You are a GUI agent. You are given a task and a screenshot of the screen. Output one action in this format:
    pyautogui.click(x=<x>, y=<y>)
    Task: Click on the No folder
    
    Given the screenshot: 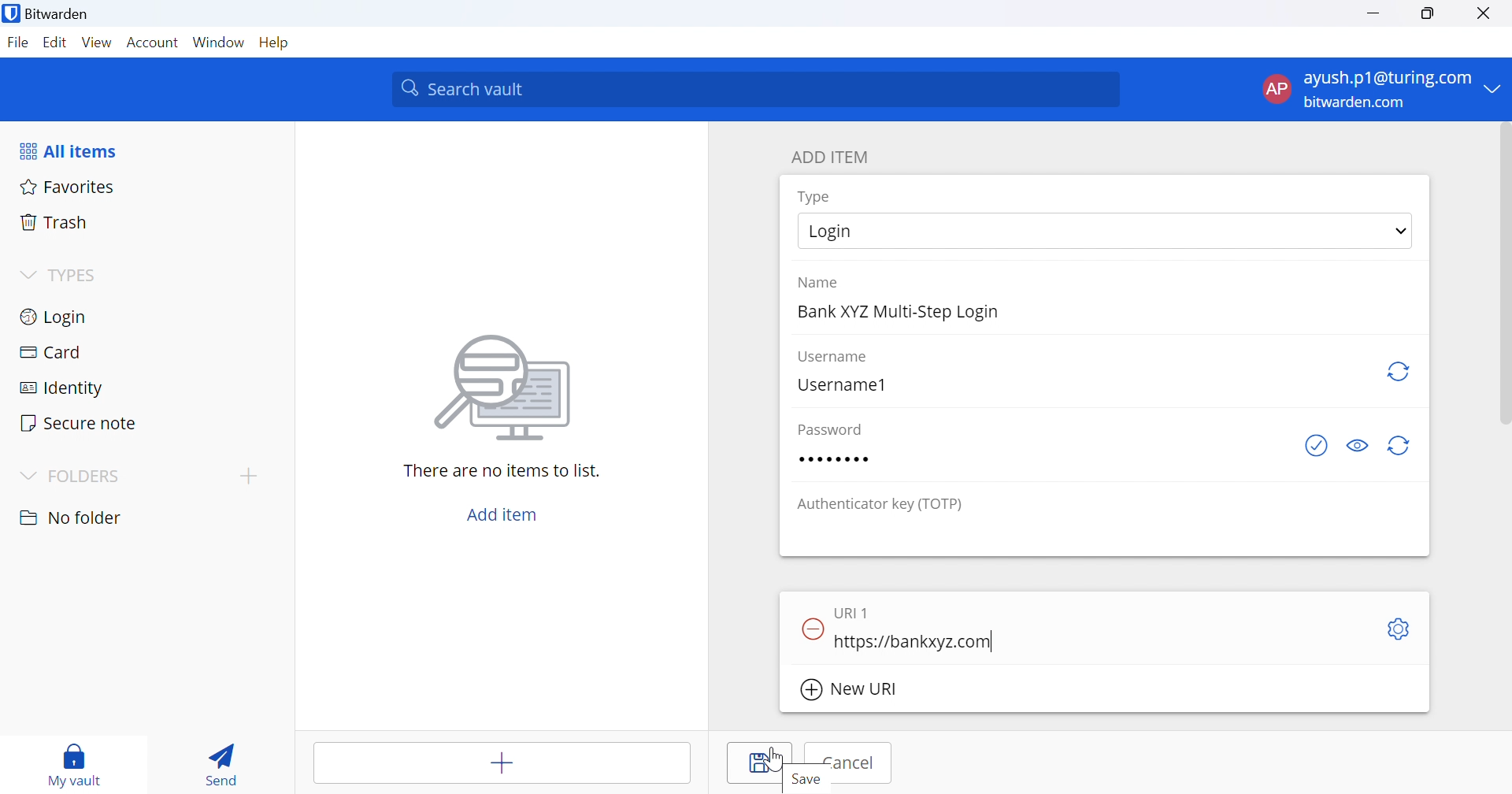 What is the action you would take?
    pyautogui.click(x=72, y=518)
    